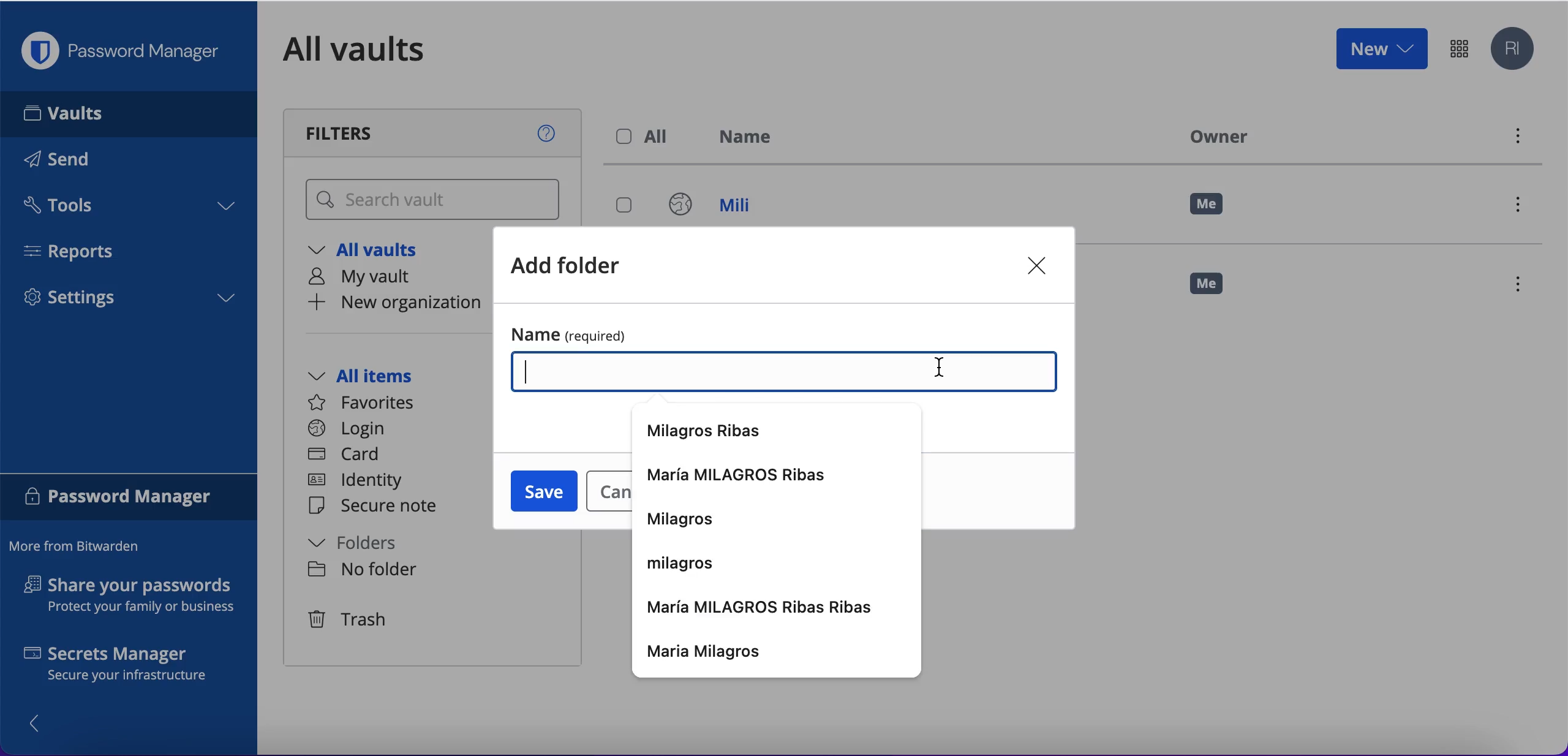  What do you see at coordinates (350, 621) in the screenshot?
I see `trash` at bounding box center [350, 621].